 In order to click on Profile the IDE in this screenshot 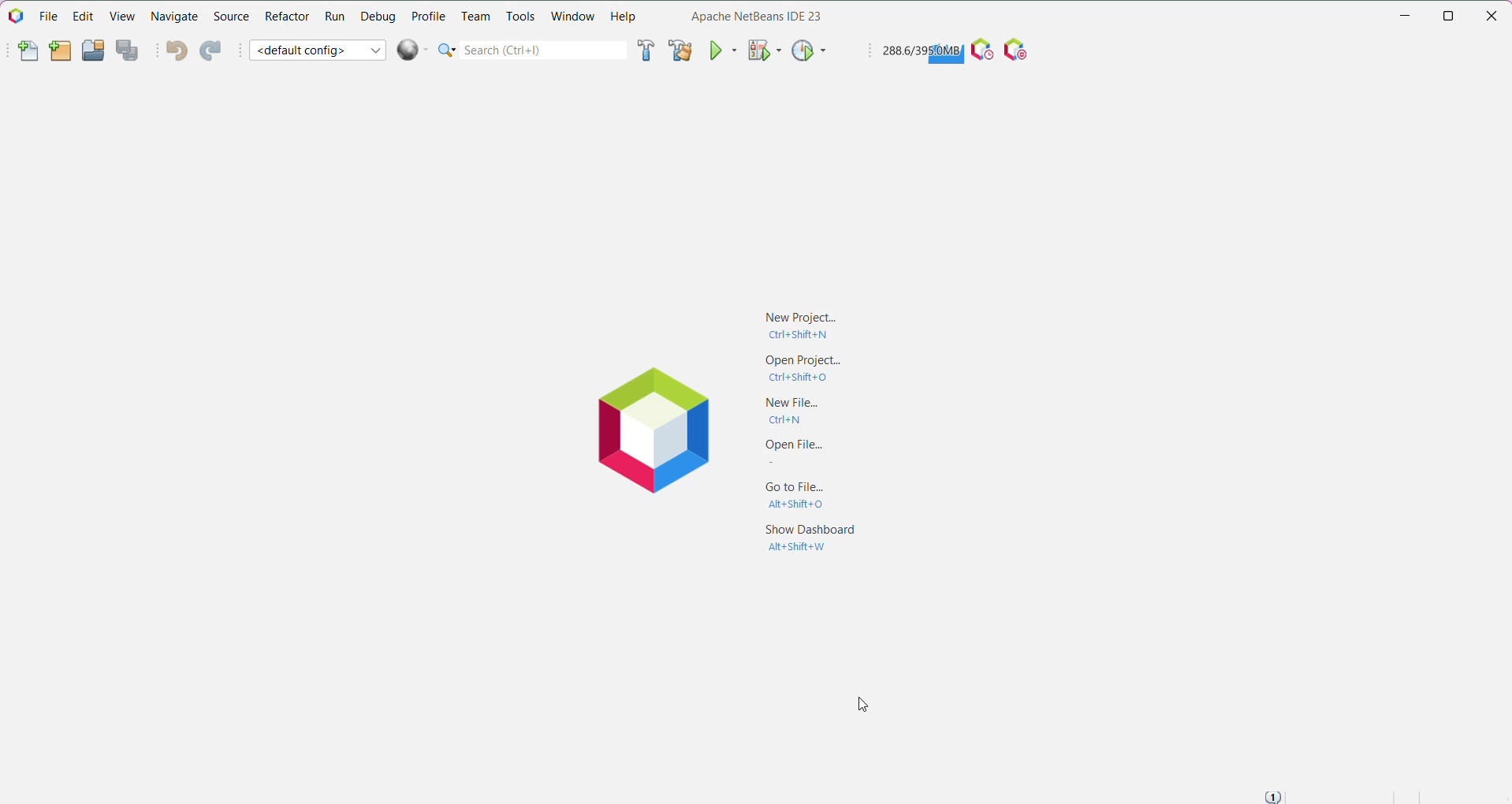, I will do `click(981, 50)`.